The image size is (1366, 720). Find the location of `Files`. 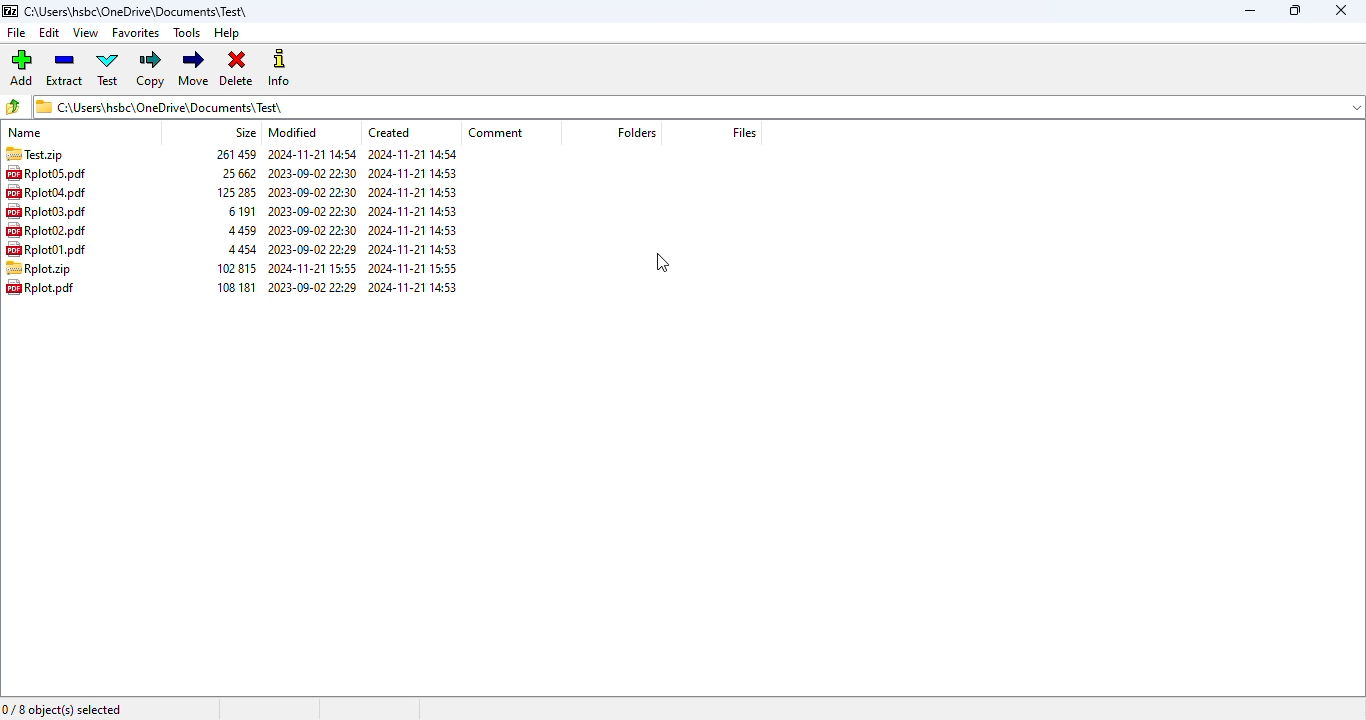

Files is located at coordinates (745, 133).